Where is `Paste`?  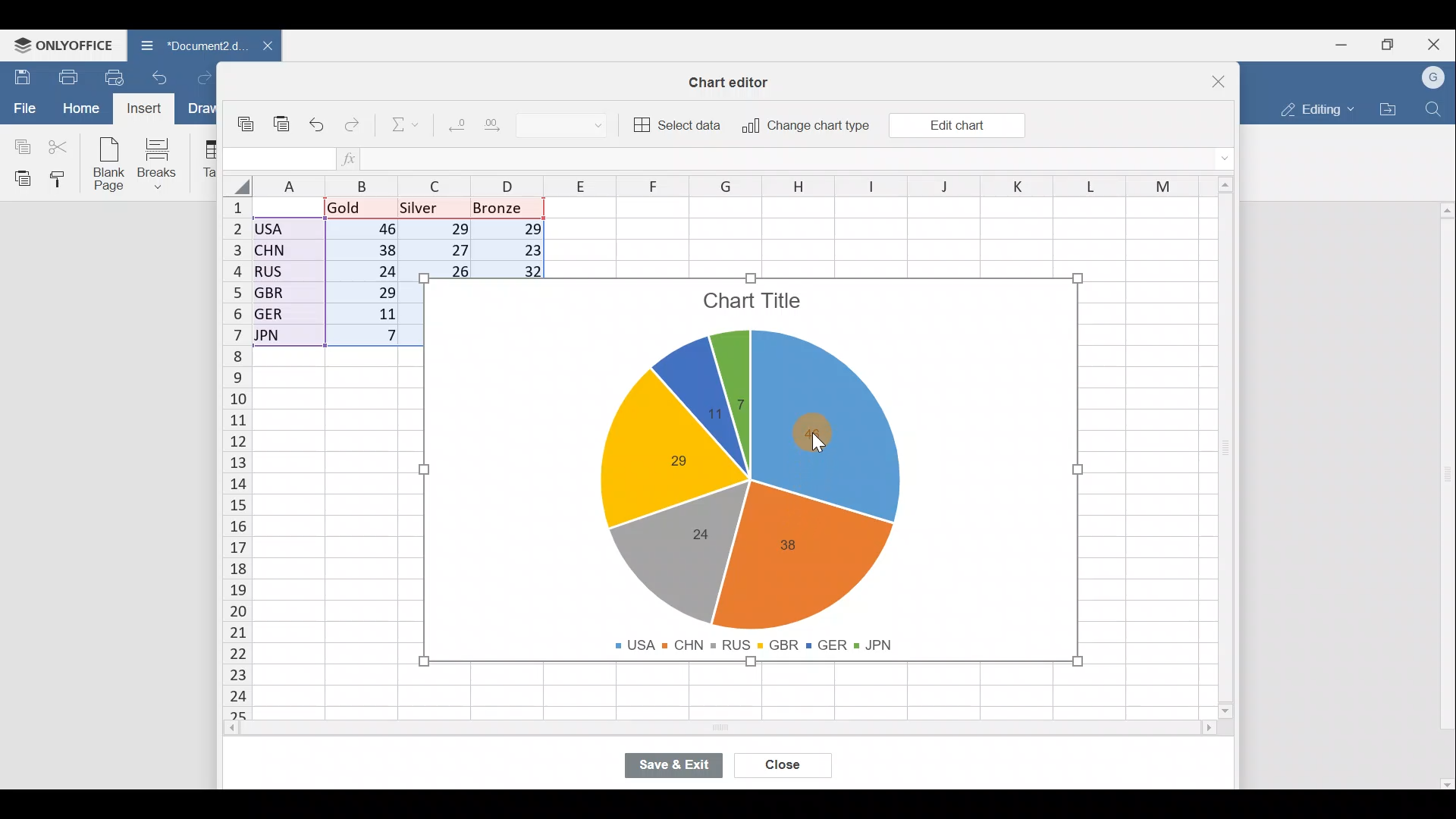
Paste is located at coordinates (19, 177).